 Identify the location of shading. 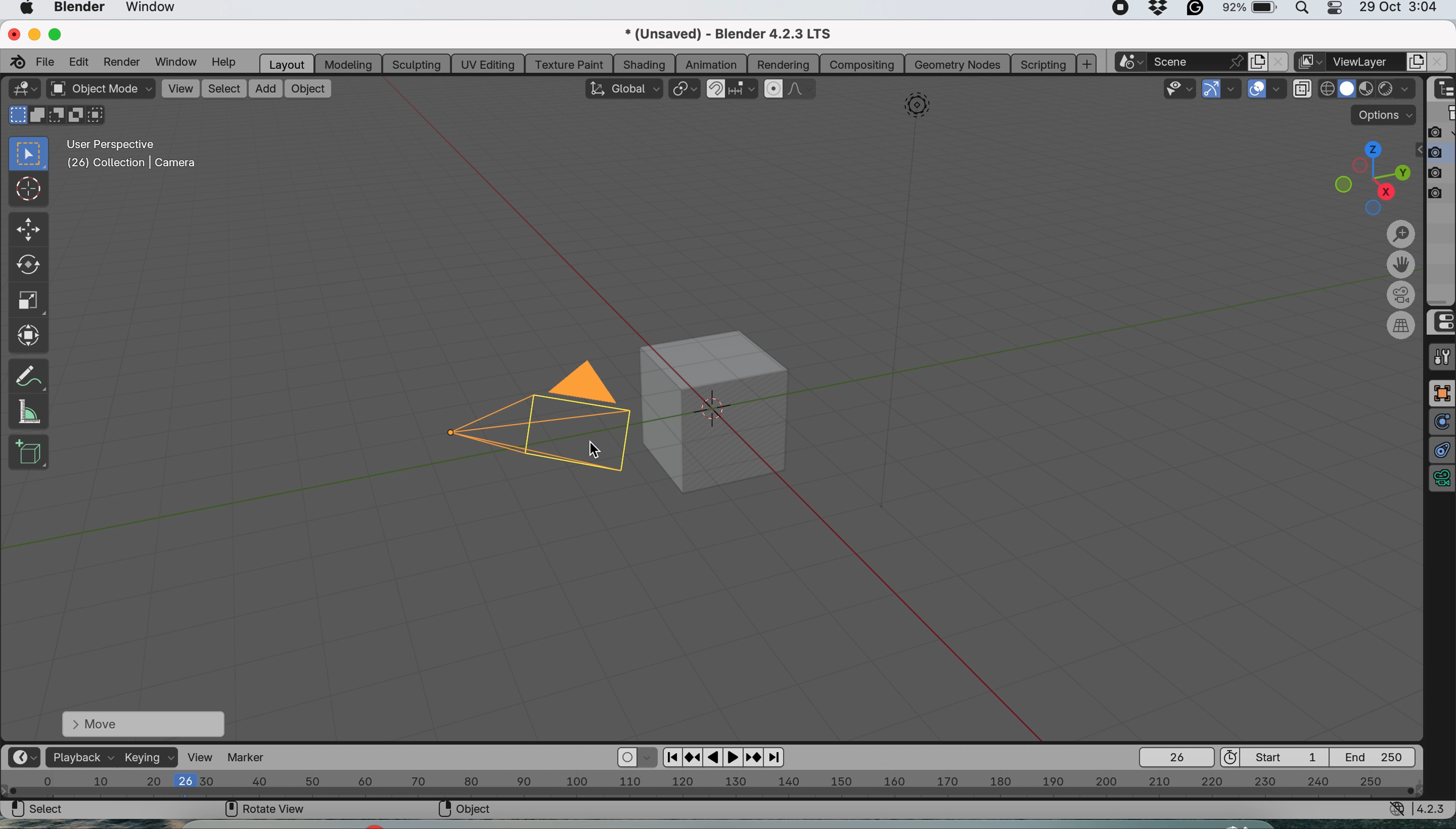
(644, 63).